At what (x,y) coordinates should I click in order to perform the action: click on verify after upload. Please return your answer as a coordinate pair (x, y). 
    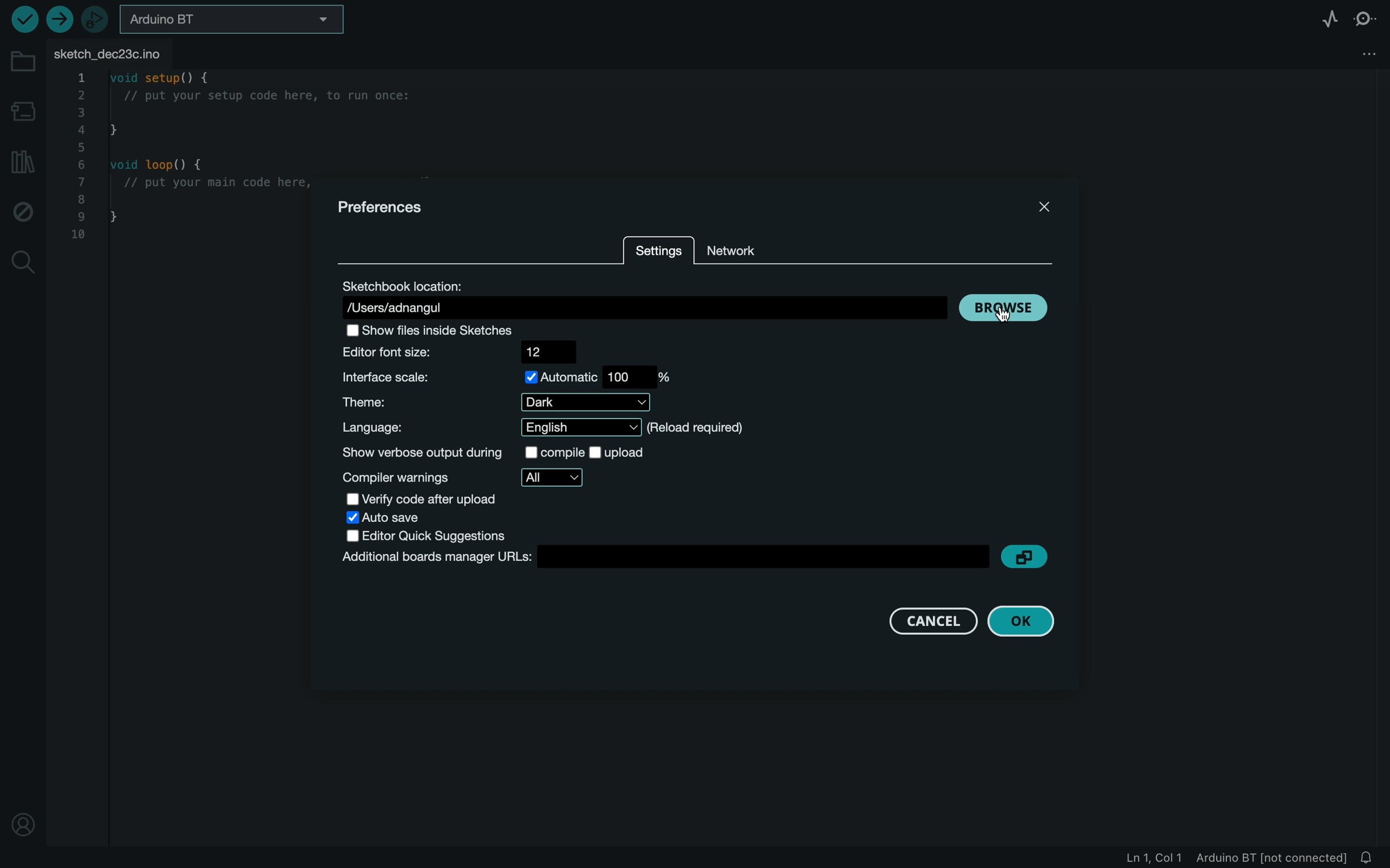
    Looking at the image, I should click on (431, 499).